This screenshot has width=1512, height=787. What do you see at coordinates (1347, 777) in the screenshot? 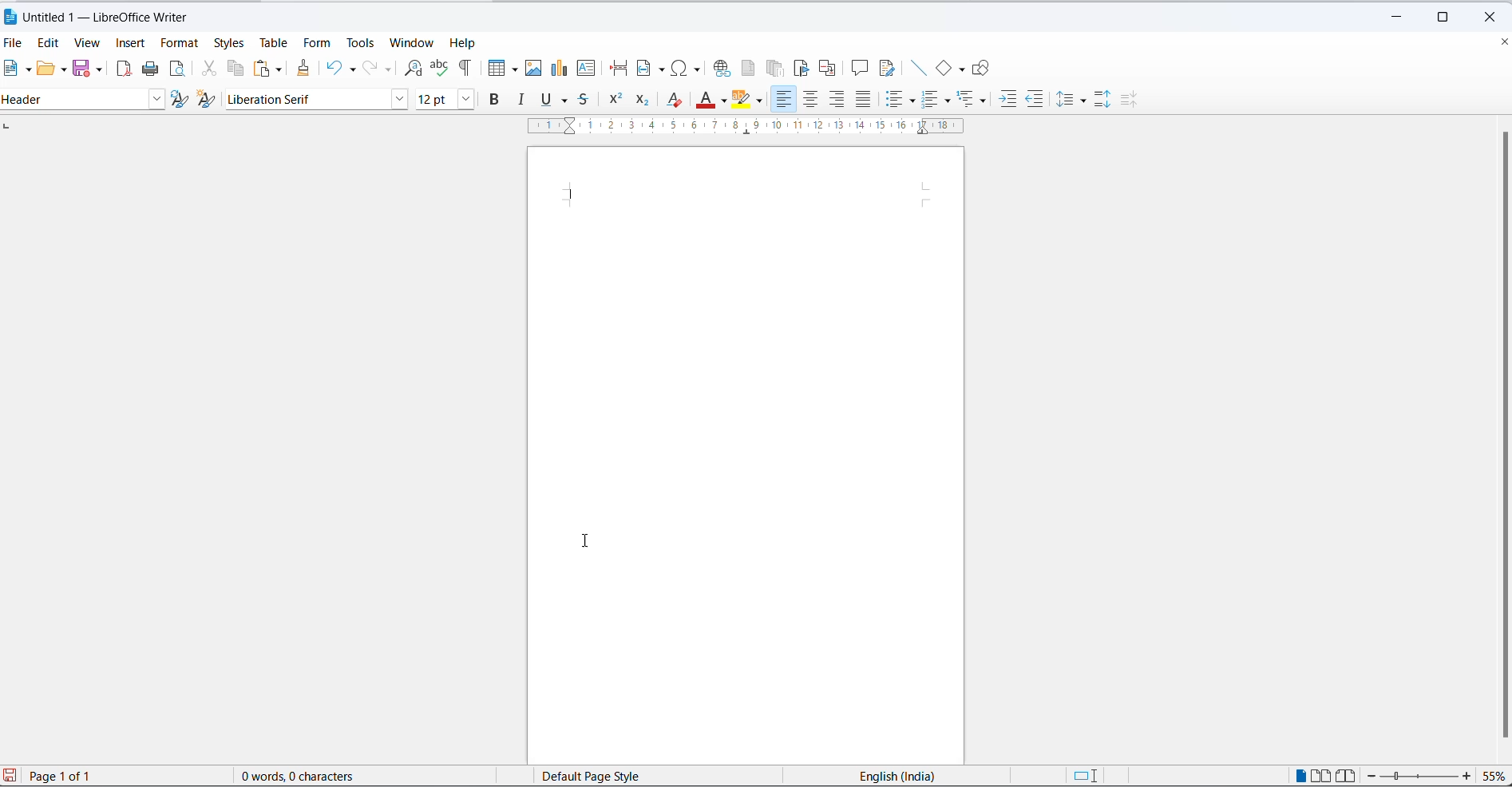
I see `book view` at bounding box center [1347, 777].